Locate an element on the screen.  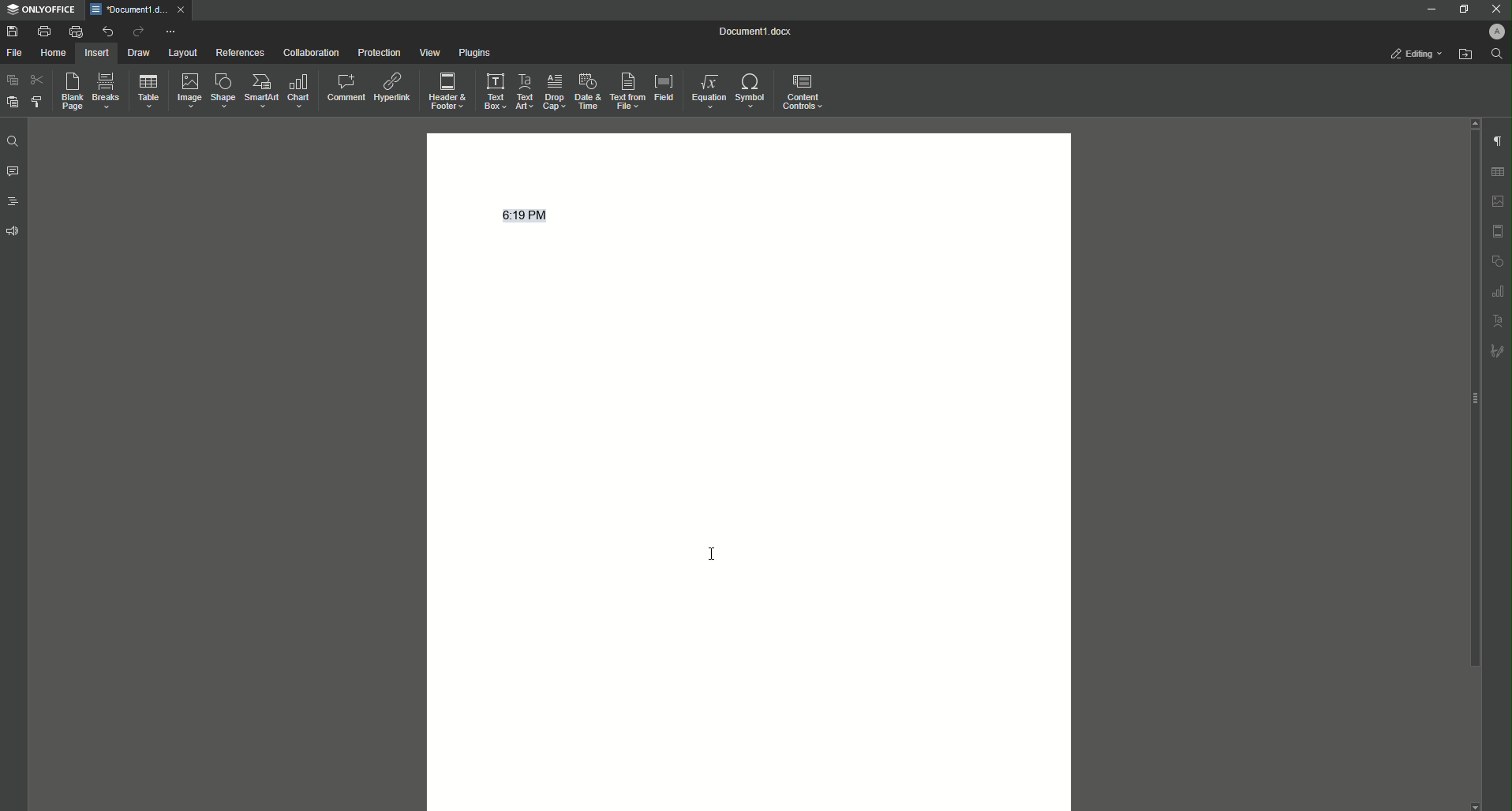
scroll down is located at coordinates (1475, 806).